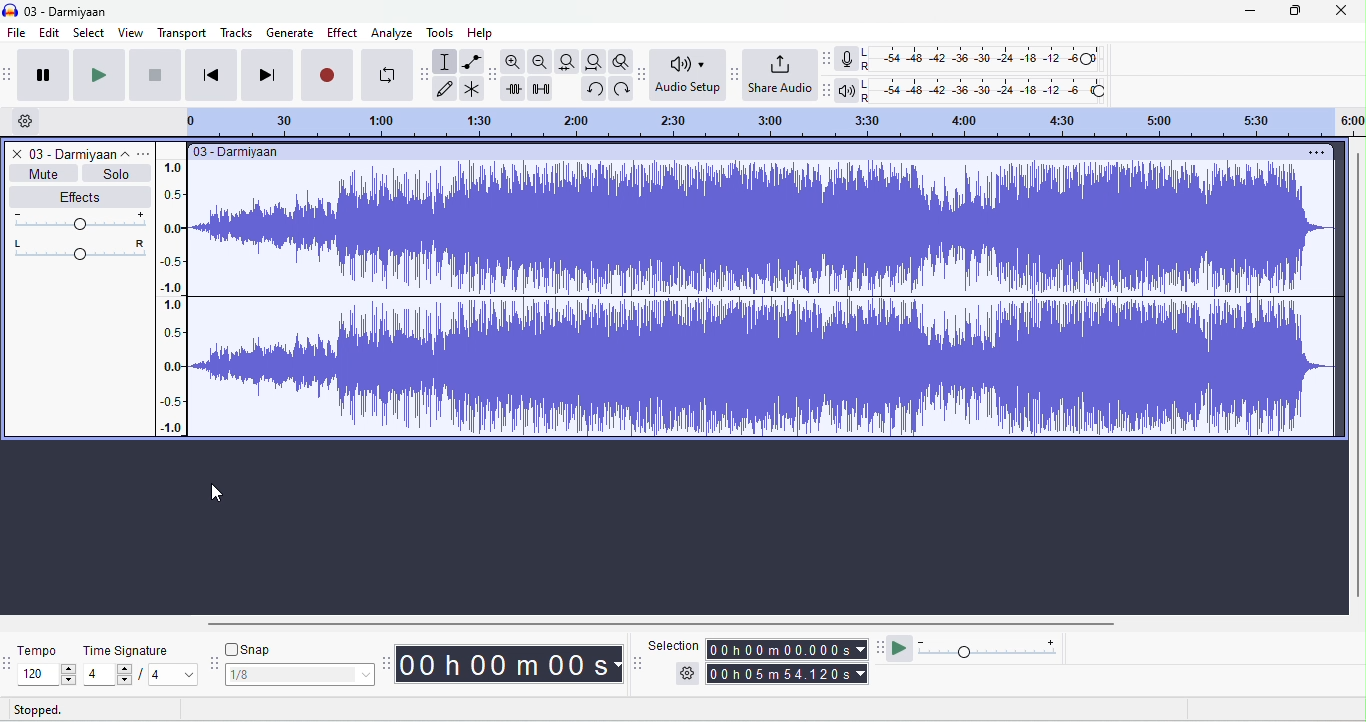  I want to click on waveform, so click(764, 297).